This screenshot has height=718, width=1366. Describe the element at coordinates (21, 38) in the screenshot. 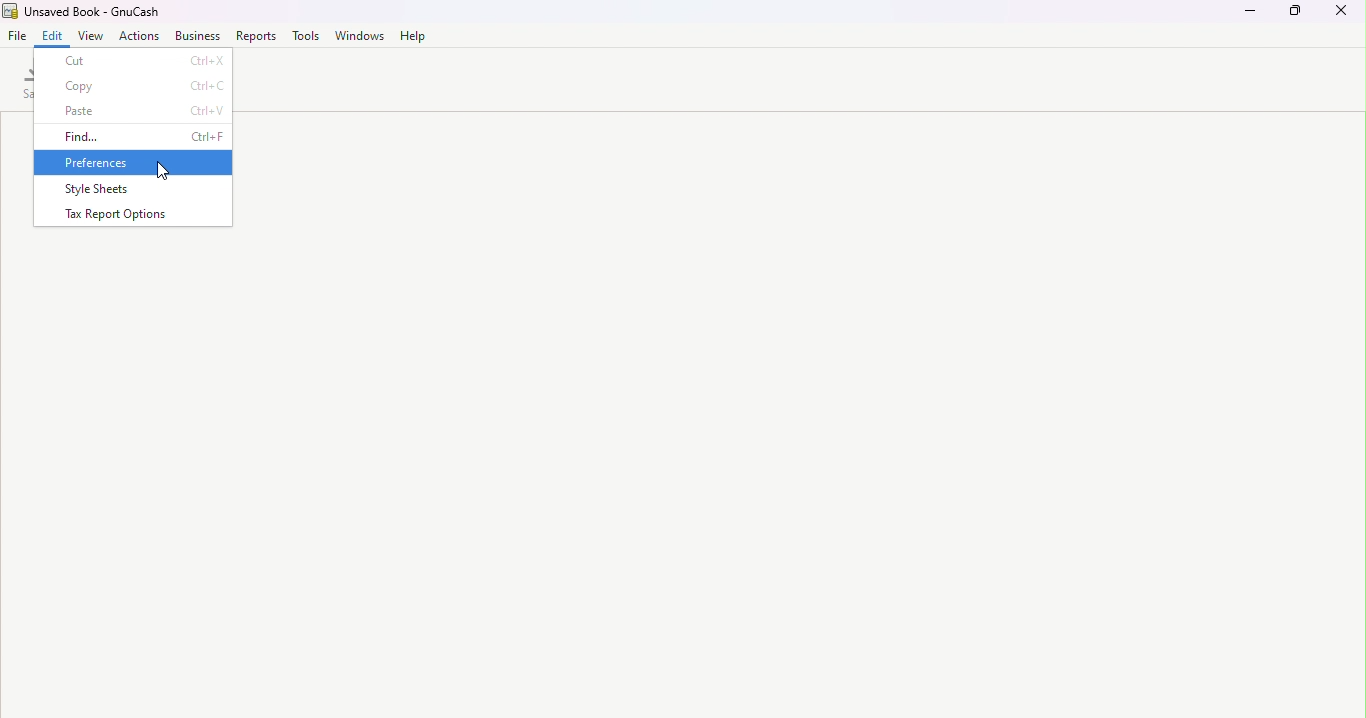

I see `File name` at that location.